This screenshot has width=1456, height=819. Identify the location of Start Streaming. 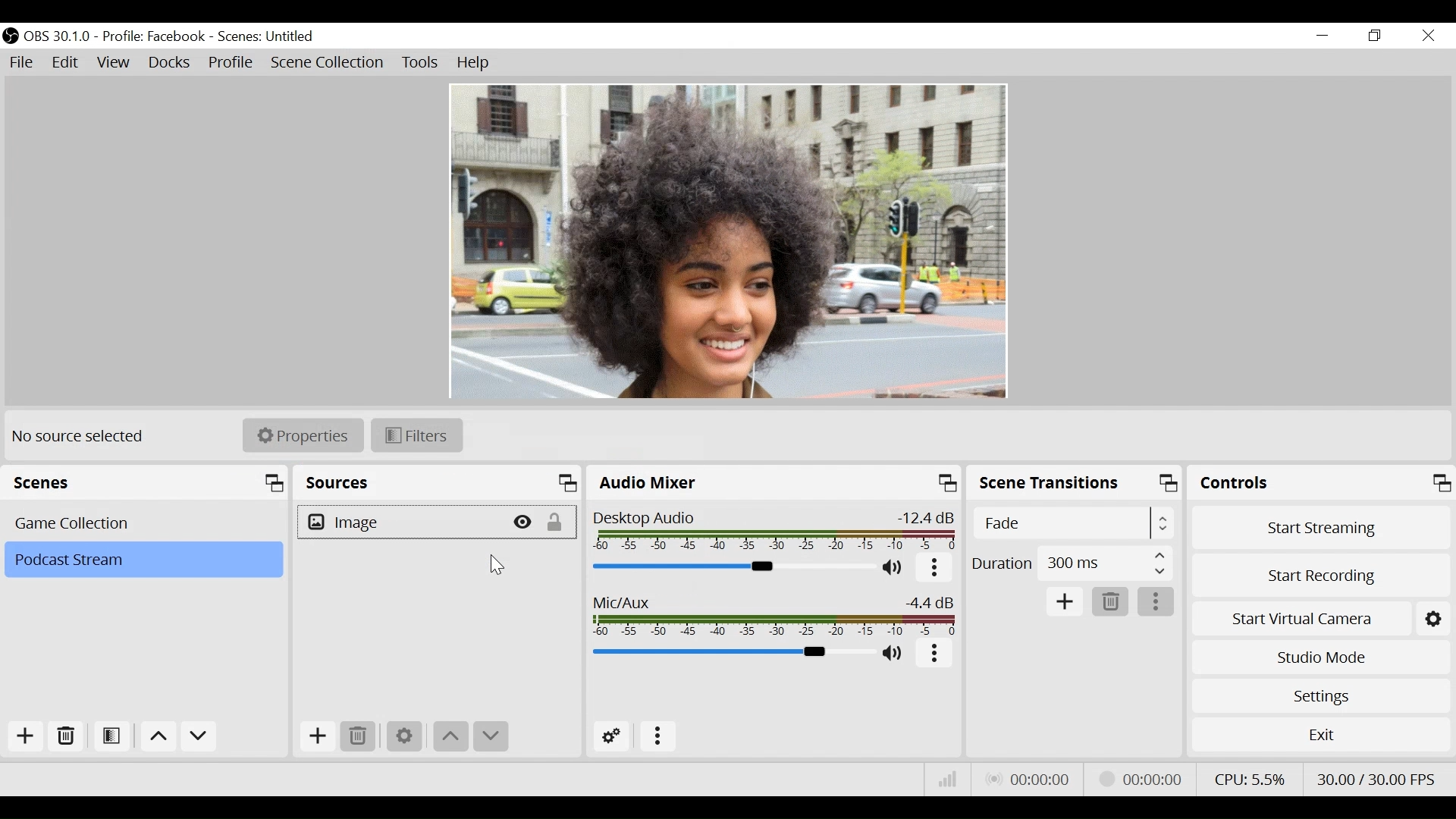
(1323, 528).